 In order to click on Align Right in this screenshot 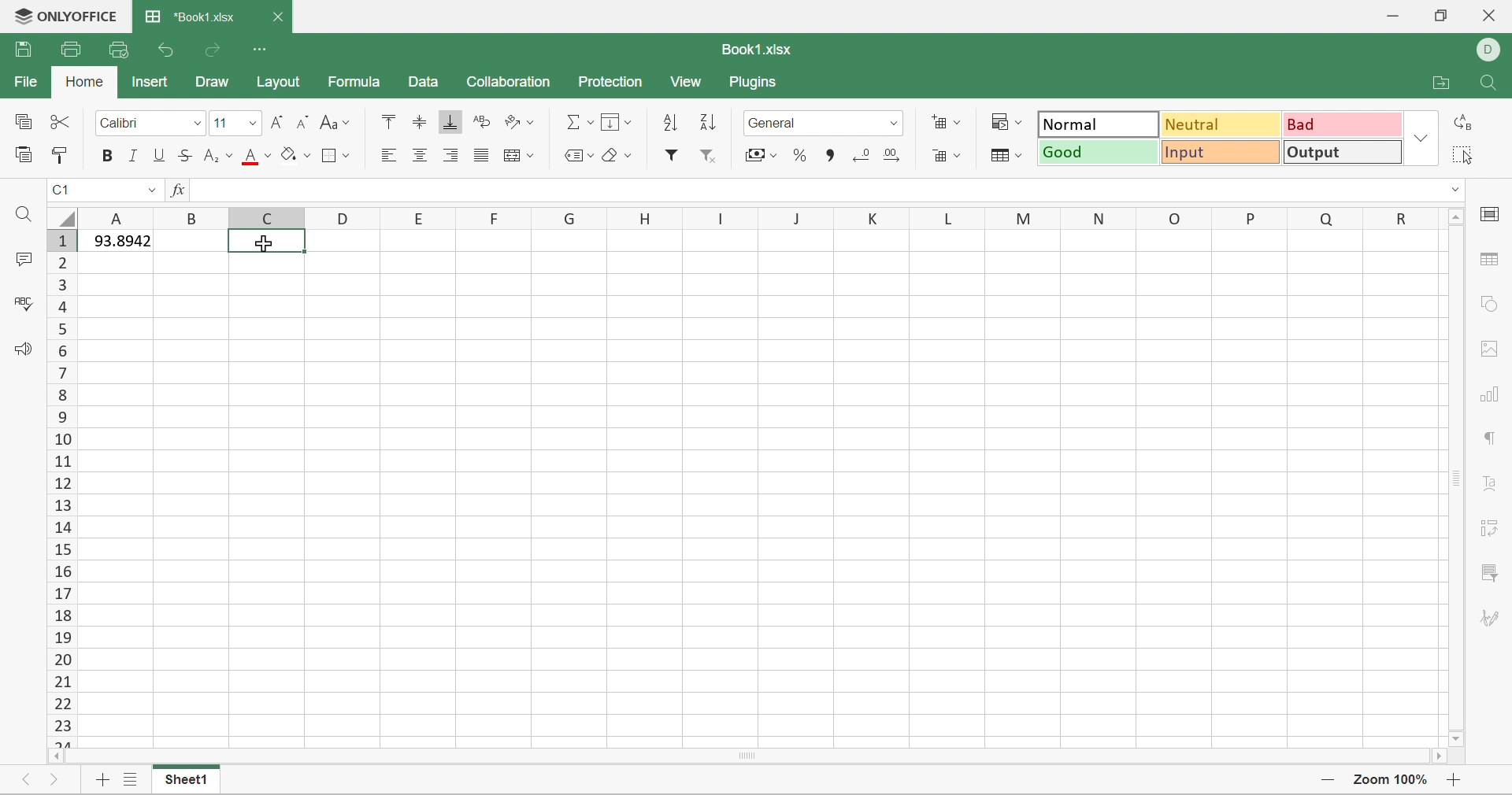, I will do `click(451, 153)`.